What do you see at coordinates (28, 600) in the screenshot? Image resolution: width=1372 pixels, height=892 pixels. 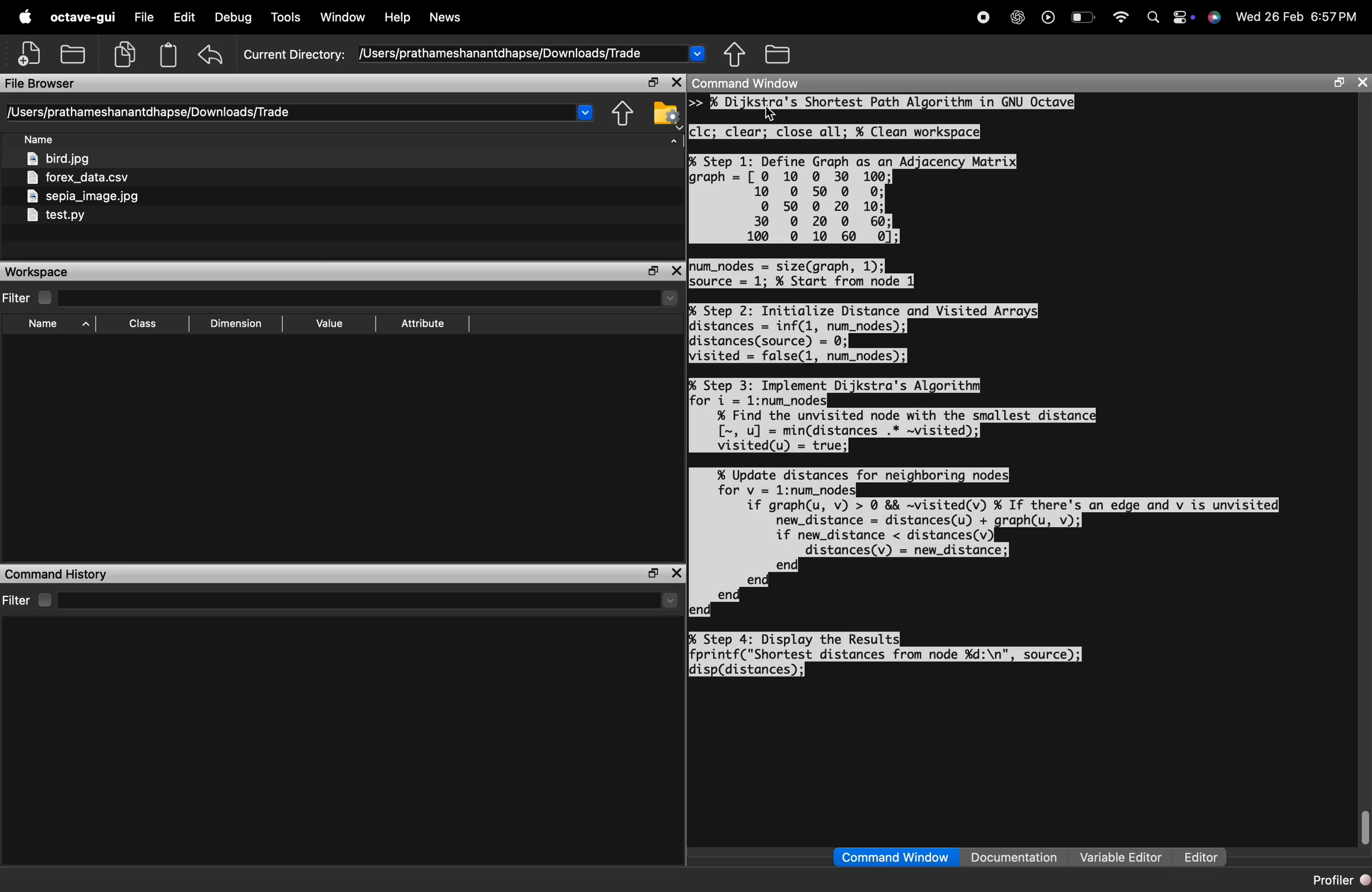 I see `filter` at bounding box center [28, 600].